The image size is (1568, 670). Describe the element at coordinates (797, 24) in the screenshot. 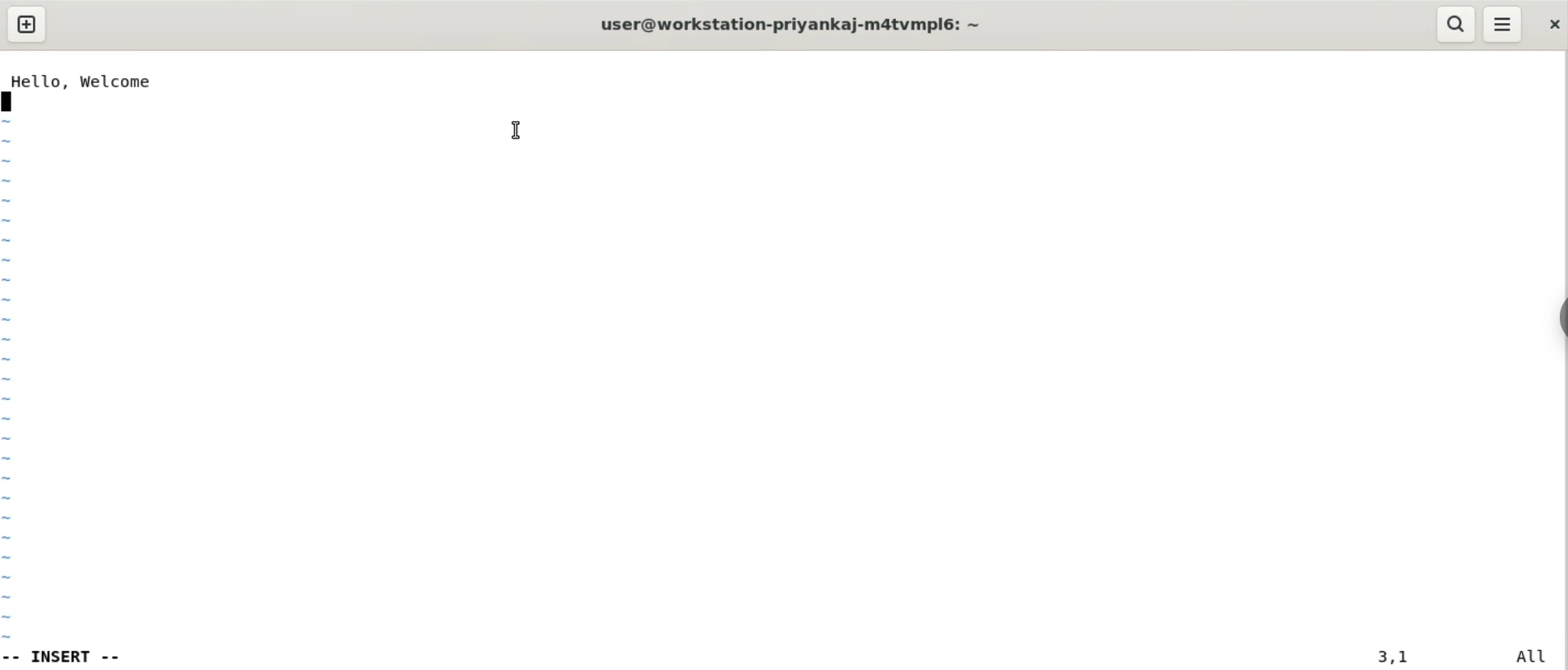

I see `user@workstation-priyankaj-m4tvmpl6: ~` at that location.